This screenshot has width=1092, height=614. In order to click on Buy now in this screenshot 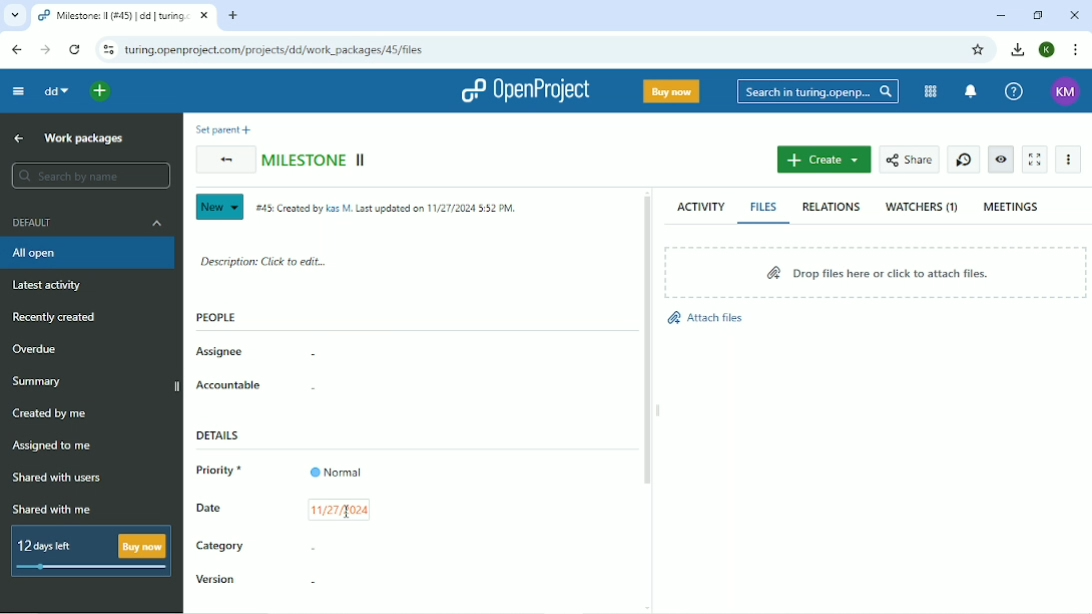, I will do `click(671, 90)`.